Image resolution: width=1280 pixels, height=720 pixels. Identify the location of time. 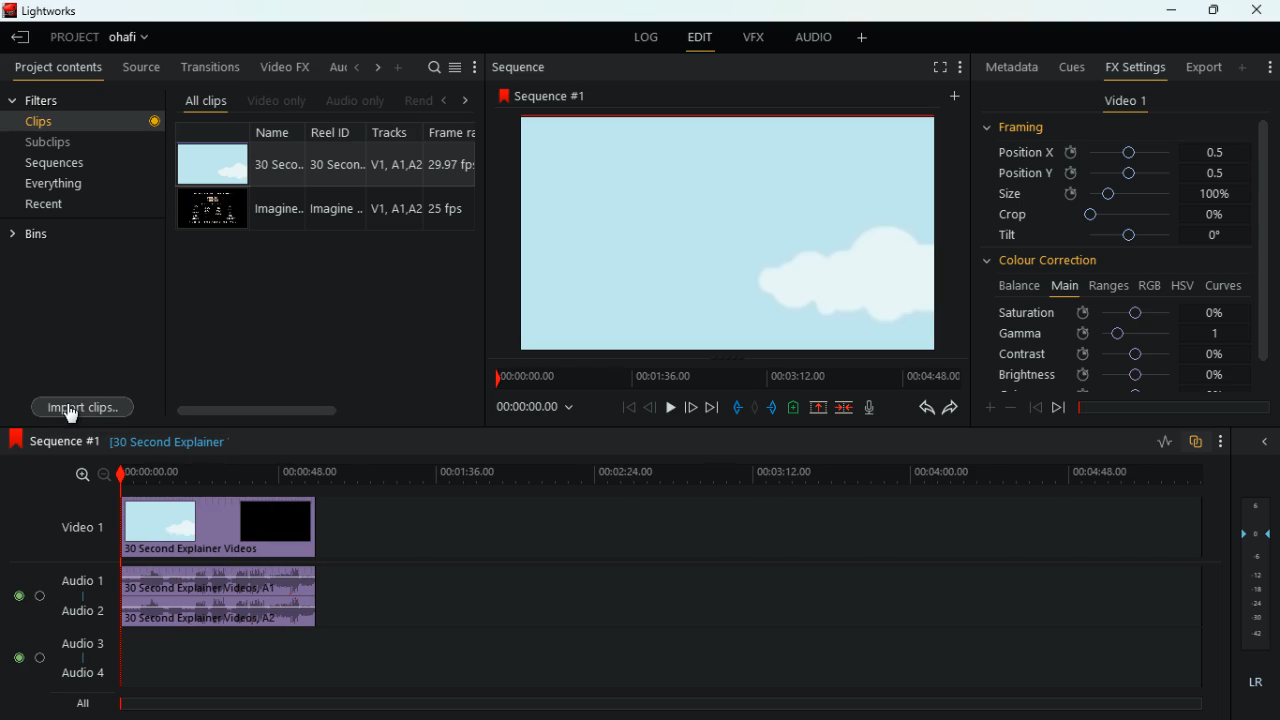
(167, 442).